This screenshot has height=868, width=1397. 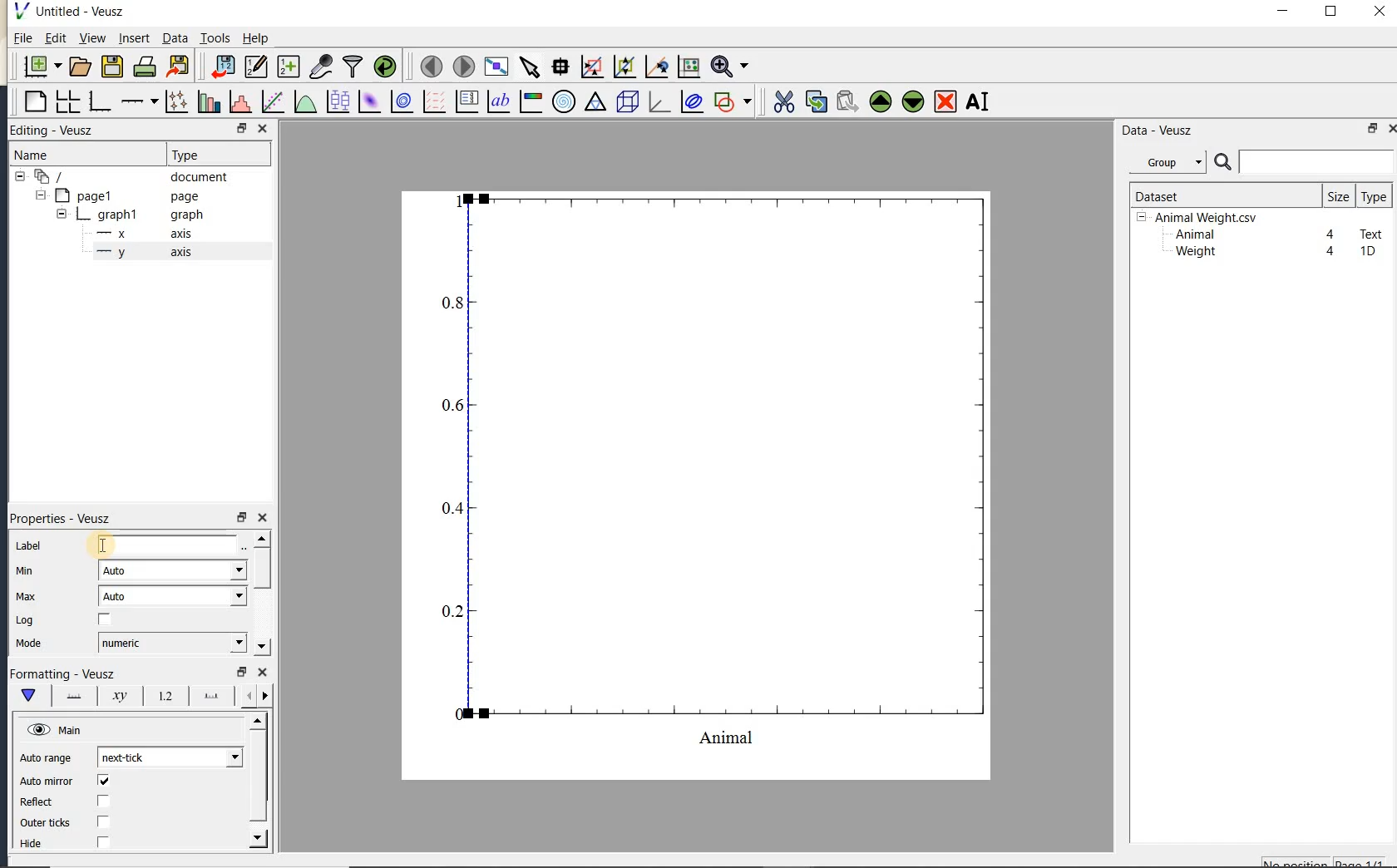 What do you see at coordinates (1331, 252) in the screenshot?
I see `4` at bounding box center [1331, 252].